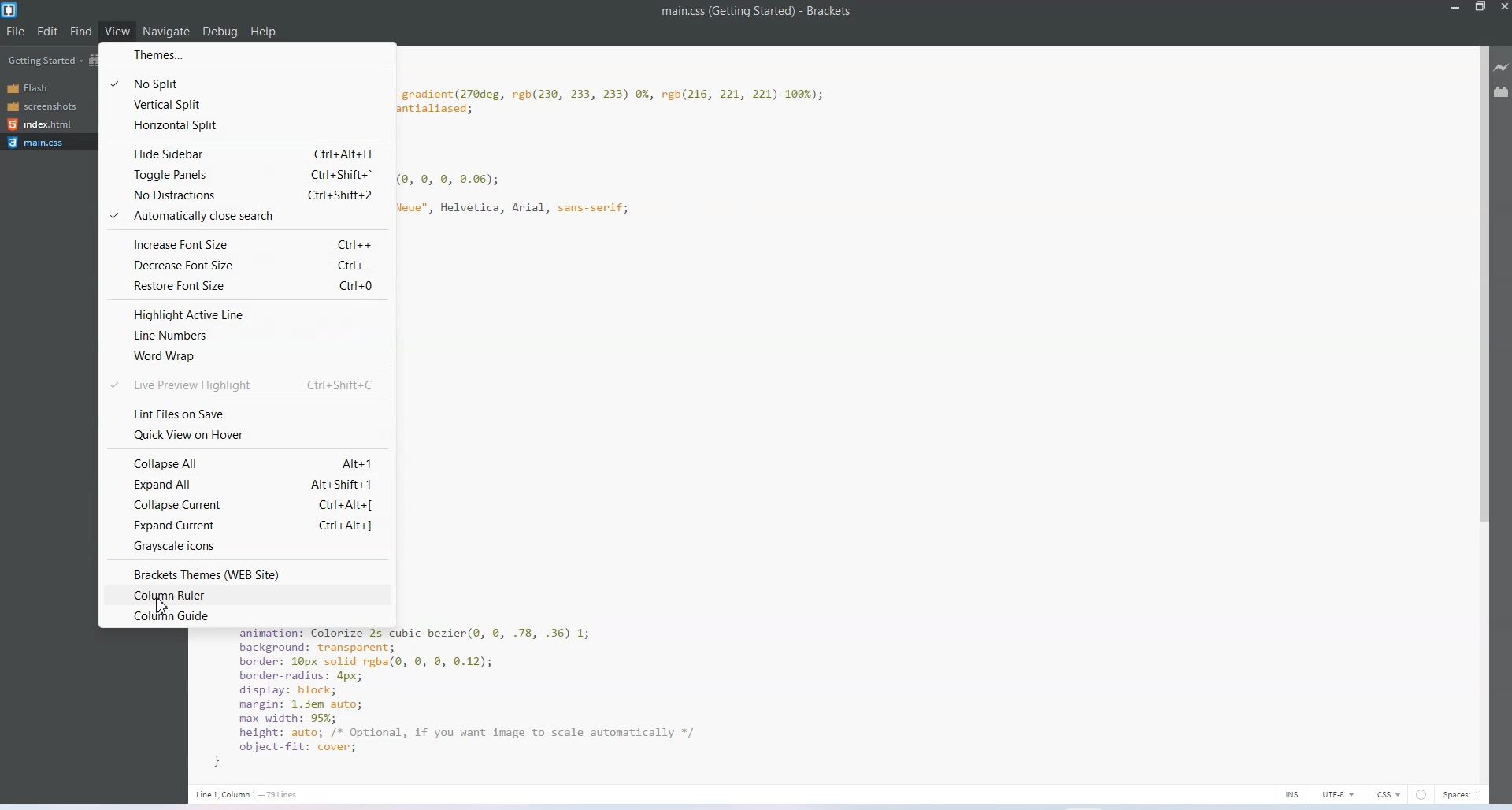  Describe the element at coordinates (248, 504) in the screenshot. I see `Collapse Current` at that location.